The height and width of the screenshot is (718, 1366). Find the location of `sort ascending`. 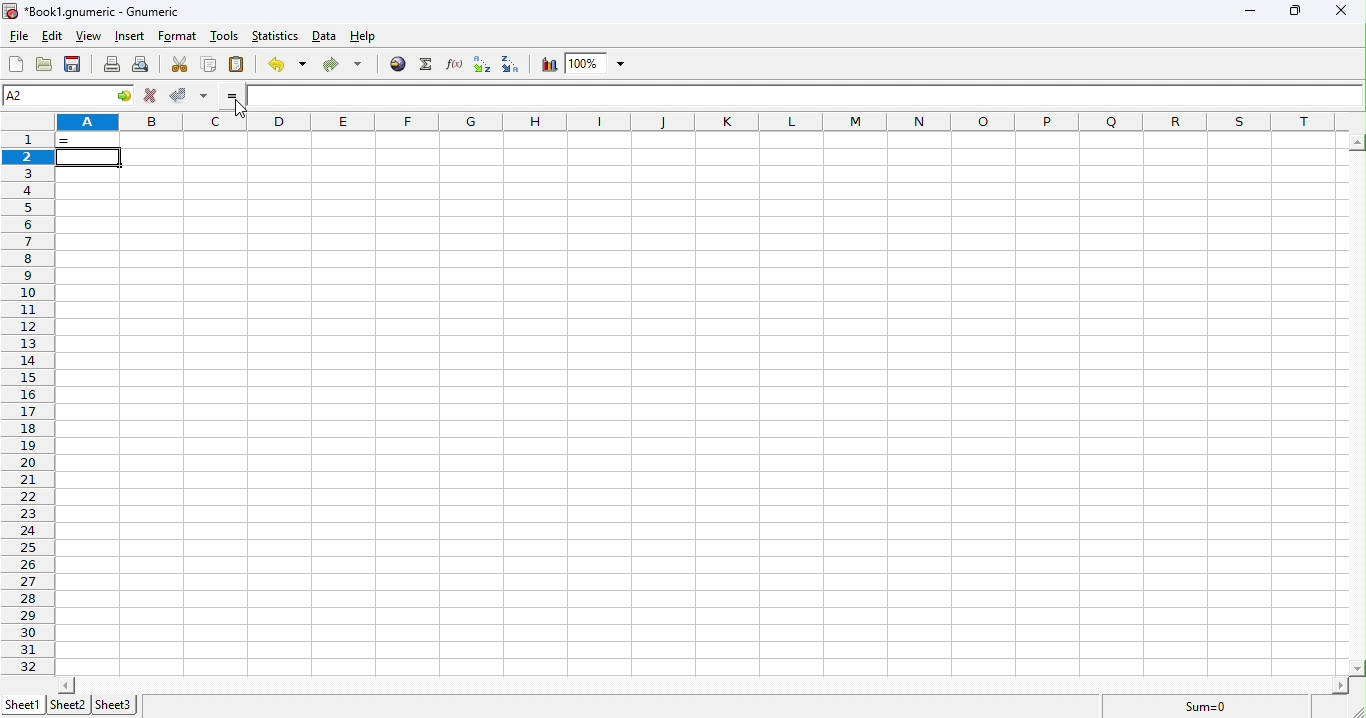

sort ascending is located at coordinates (482, 65).